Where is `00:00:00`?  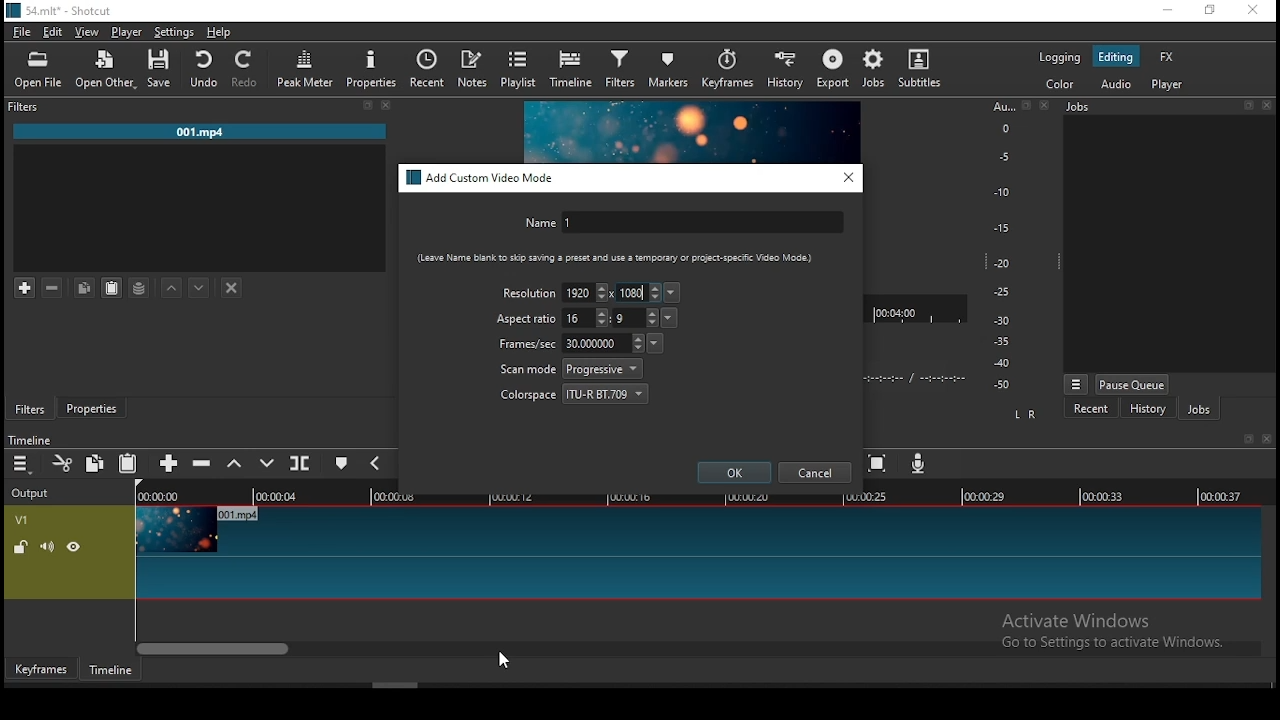 00:00:00 is located at coordinates (155, 496).